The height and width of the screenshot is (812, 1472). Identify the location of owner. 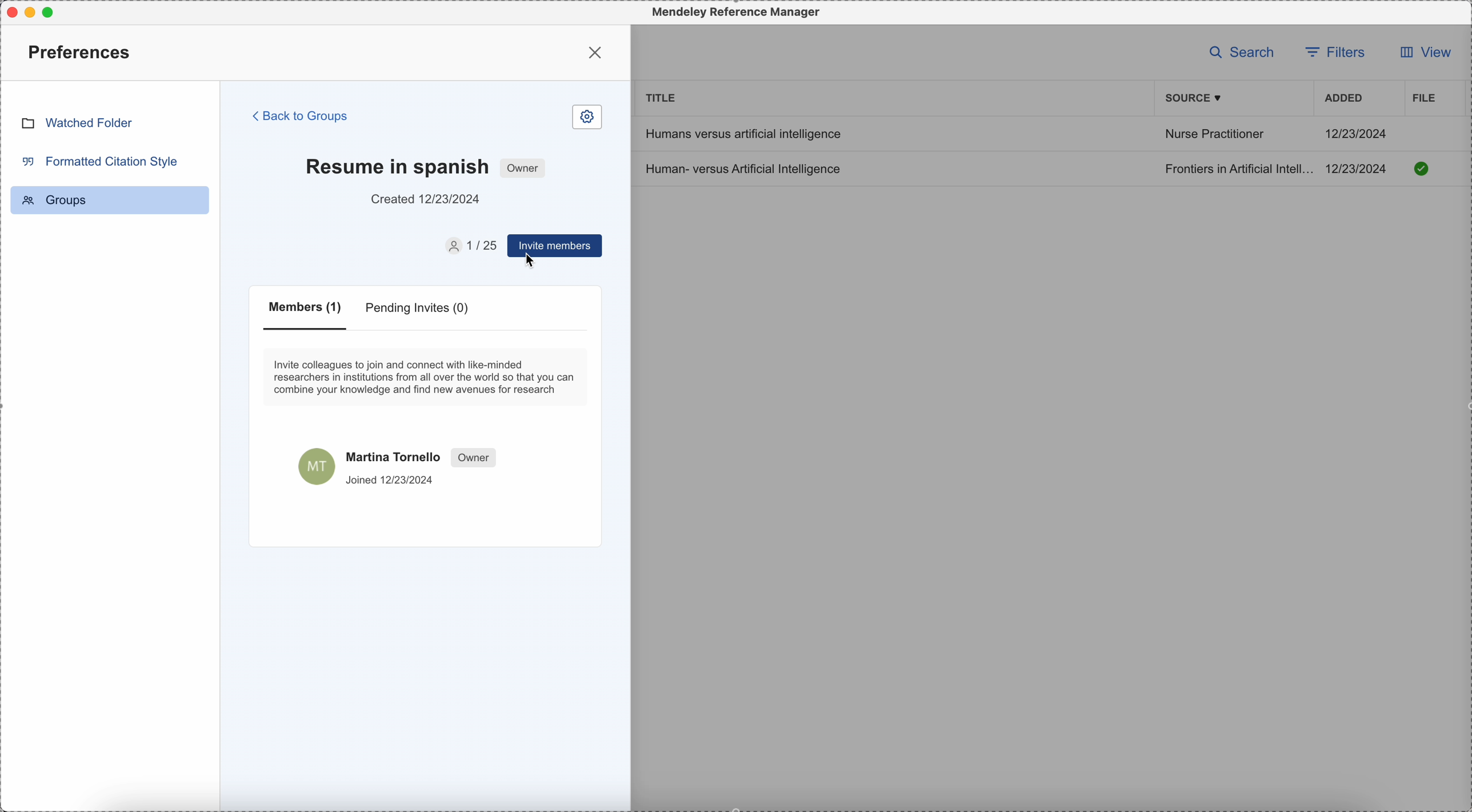
(523, 167).